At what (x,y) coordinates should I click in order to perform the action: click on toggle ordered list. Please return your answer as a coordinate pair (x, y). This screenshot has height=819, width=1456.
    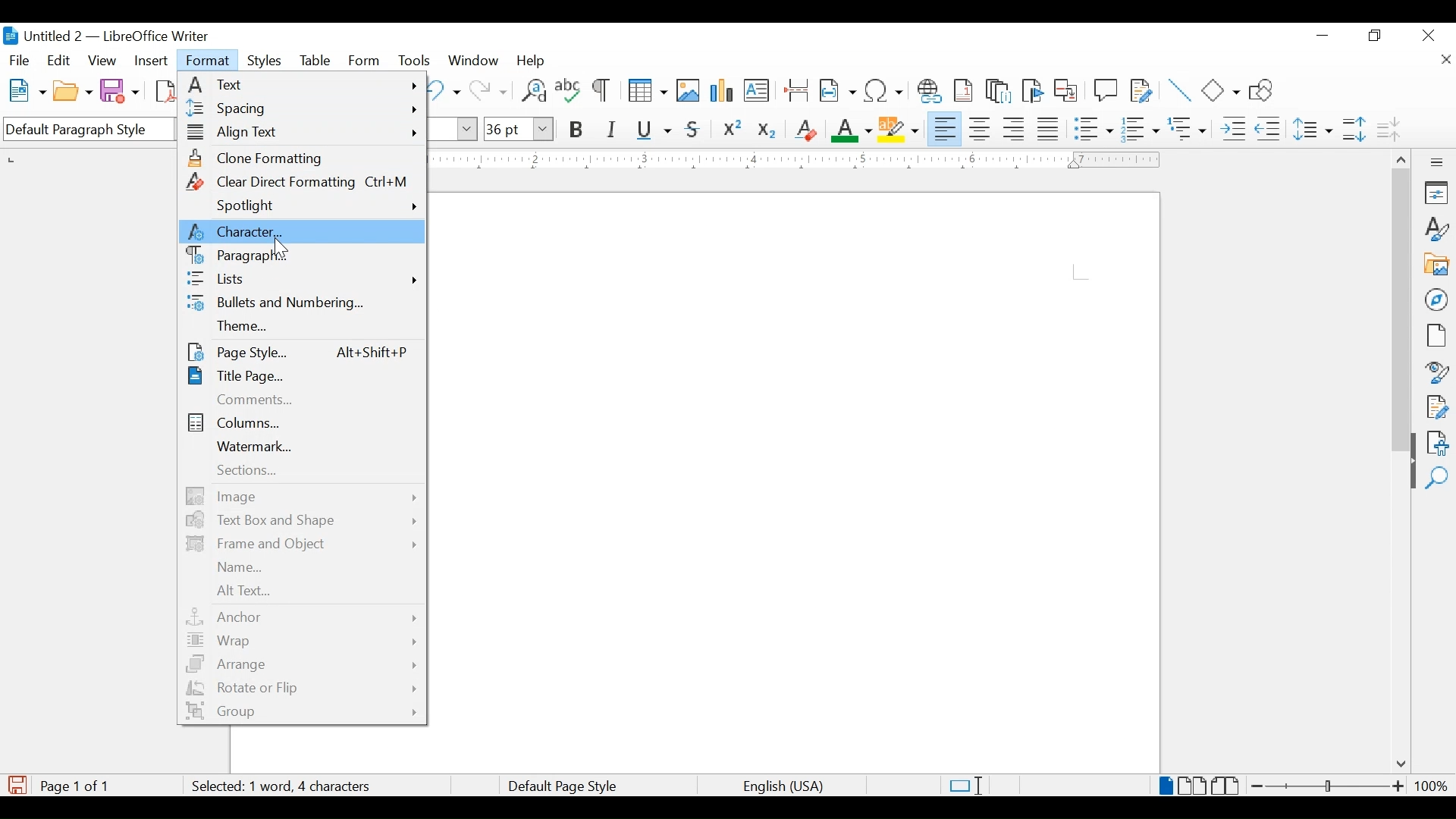
    Looking at the image, I should click on (1140, 128).